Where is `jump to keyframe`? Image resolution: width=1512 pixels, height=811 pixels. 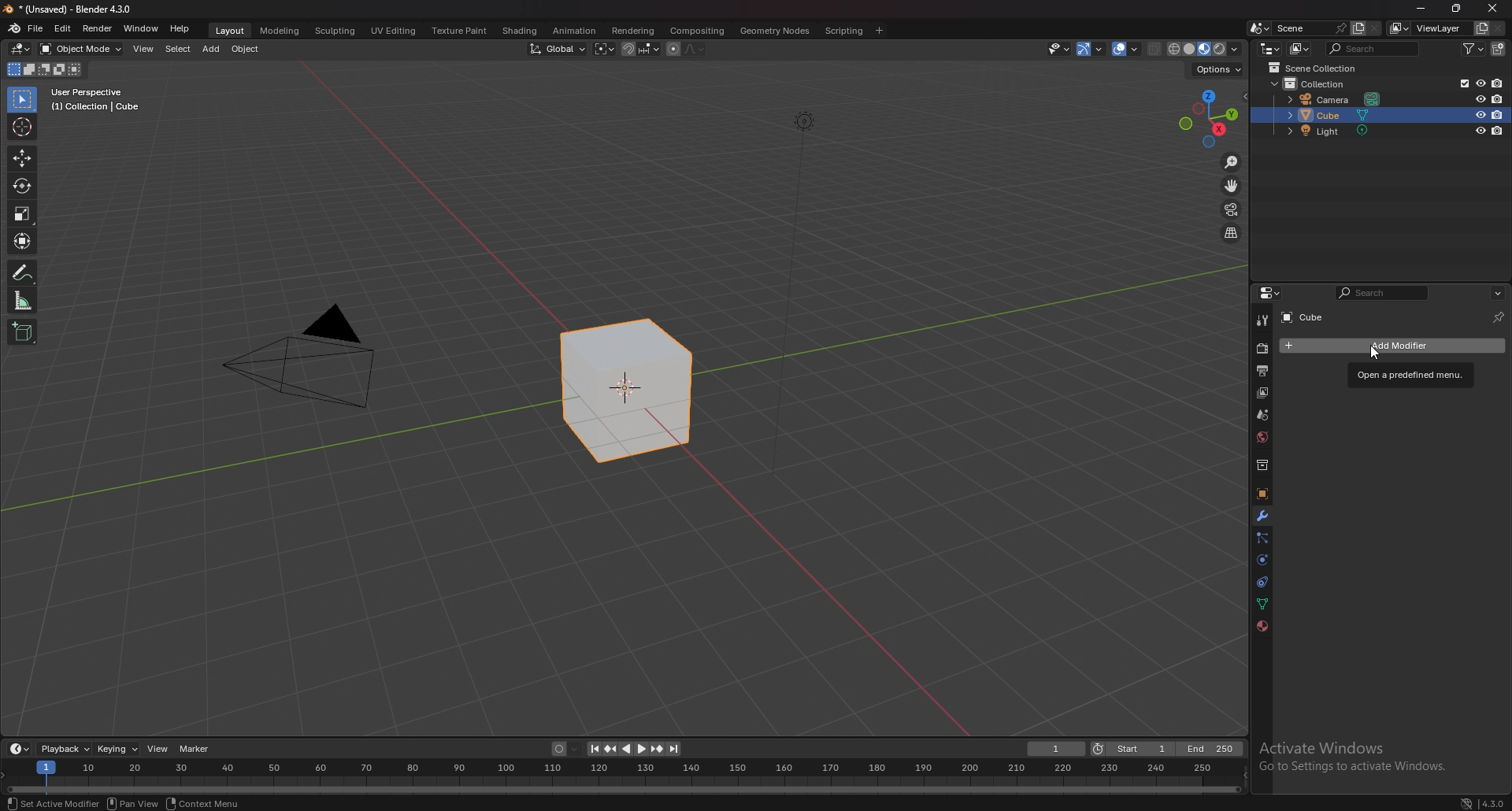
jump to keyframe is located at coordinates (610, 749).